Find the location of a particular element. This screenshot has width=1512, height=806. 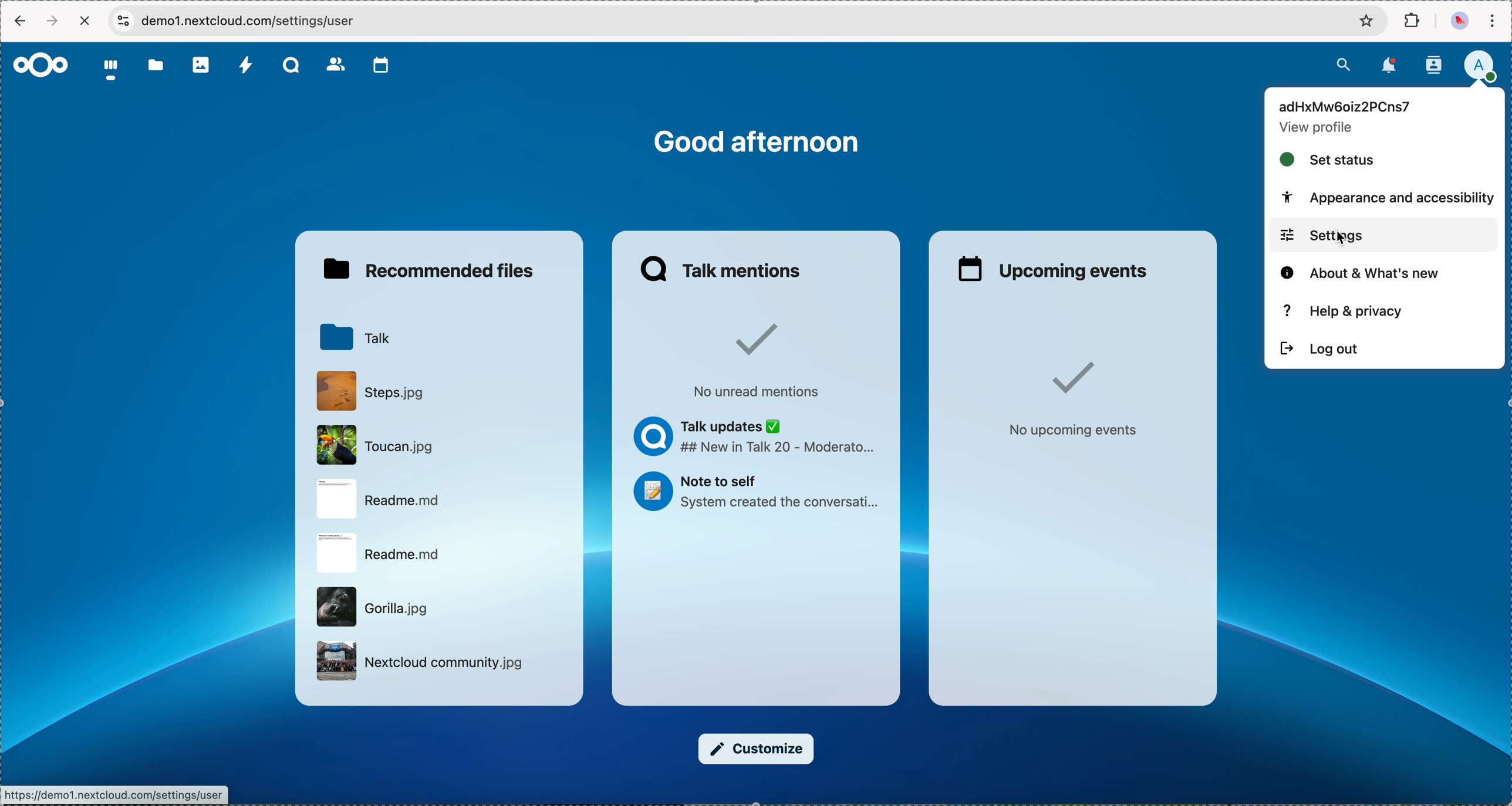

upcoming events is located at coordinates (1055, 269).